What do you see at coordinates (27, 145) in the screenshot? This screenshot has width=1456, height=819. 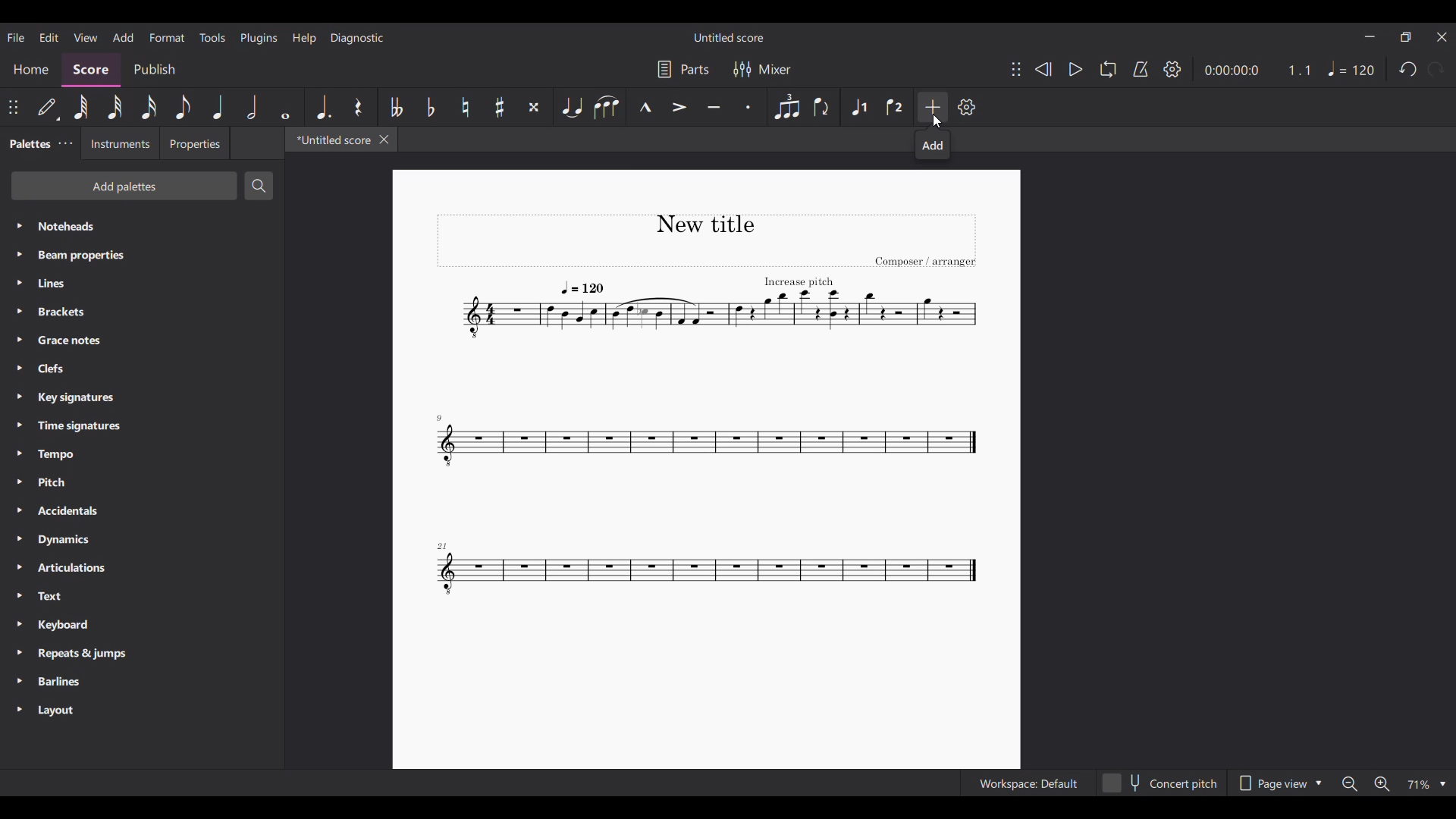 I see `Palettes` at bounding box center [27, 145].